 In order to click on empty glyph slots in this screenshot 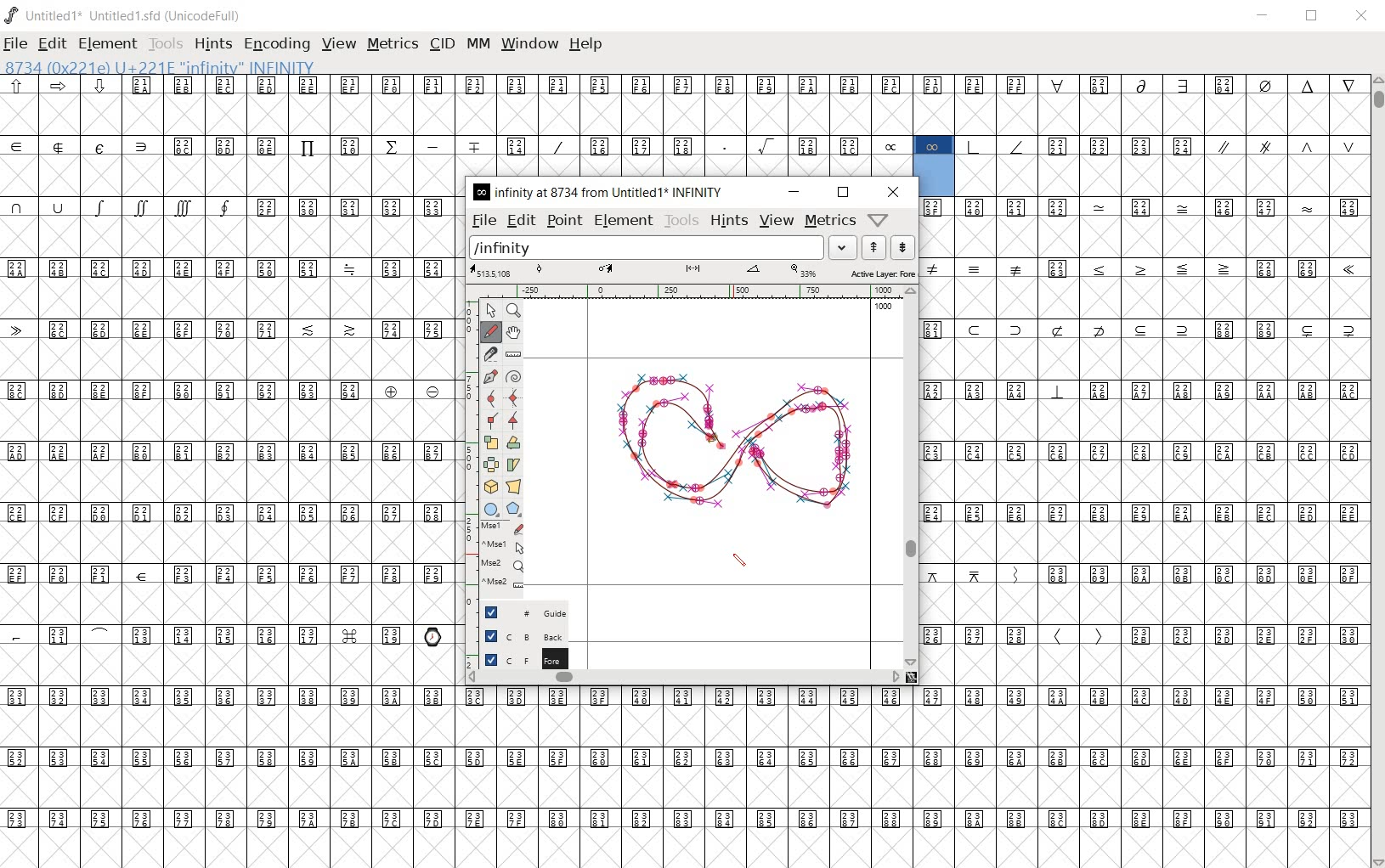, I will do `click(1143, 541)`.